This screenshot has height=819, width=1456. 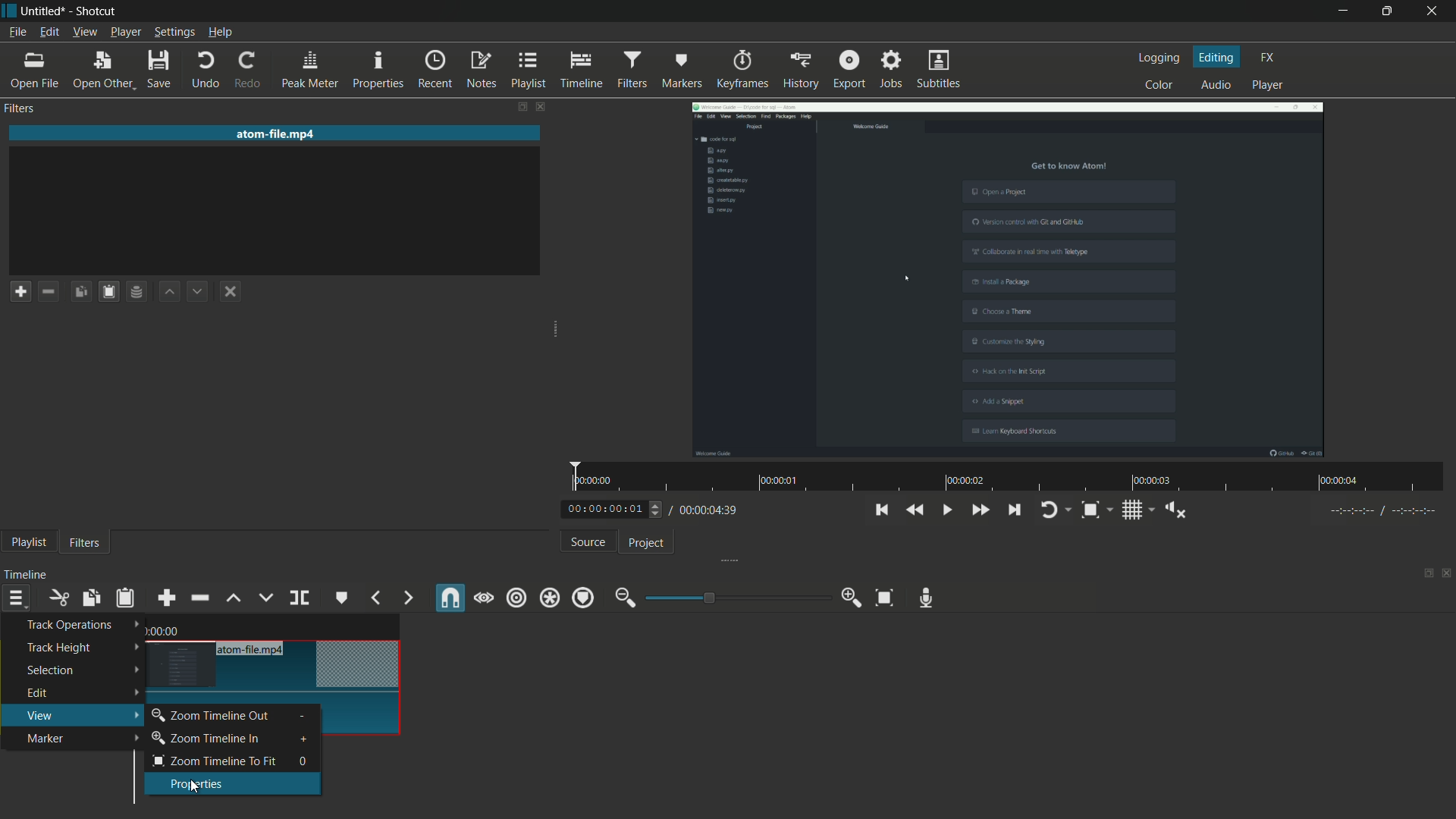 I want to click on imported file name, so click(x=275, y=133).